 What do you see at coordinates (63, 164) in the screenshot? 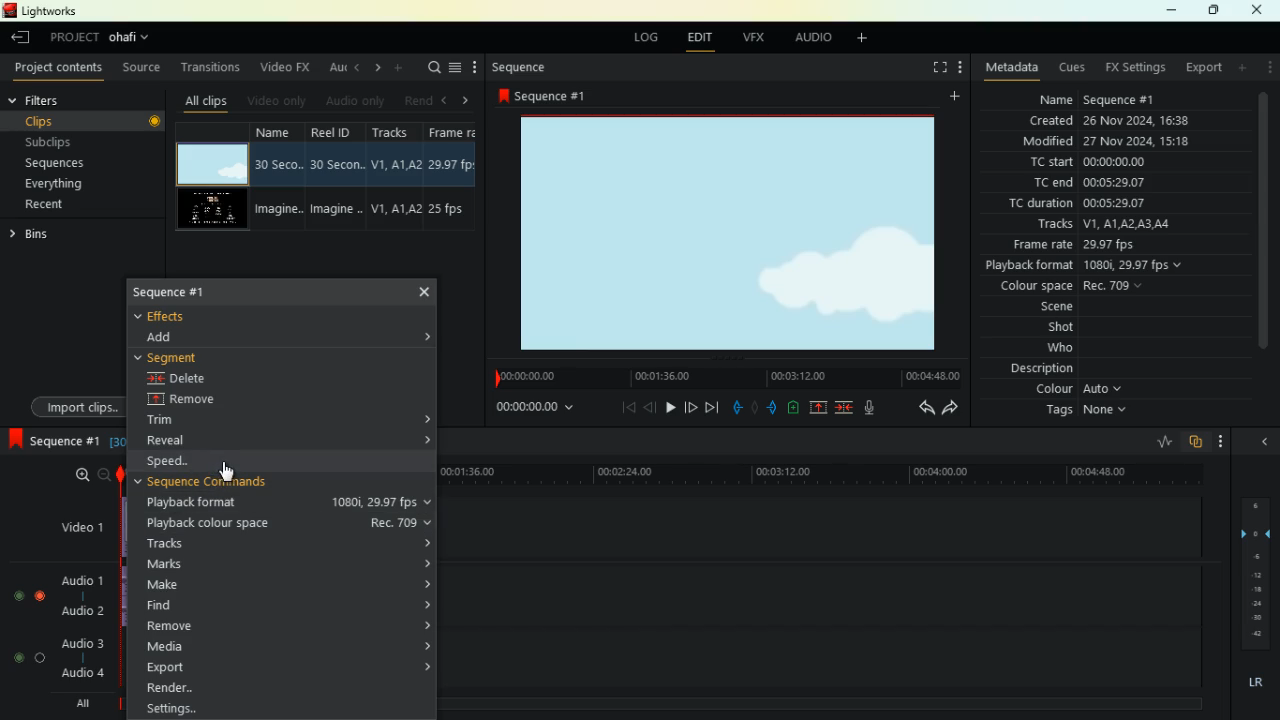
I see `sequences` at bounding box center [63, 164].